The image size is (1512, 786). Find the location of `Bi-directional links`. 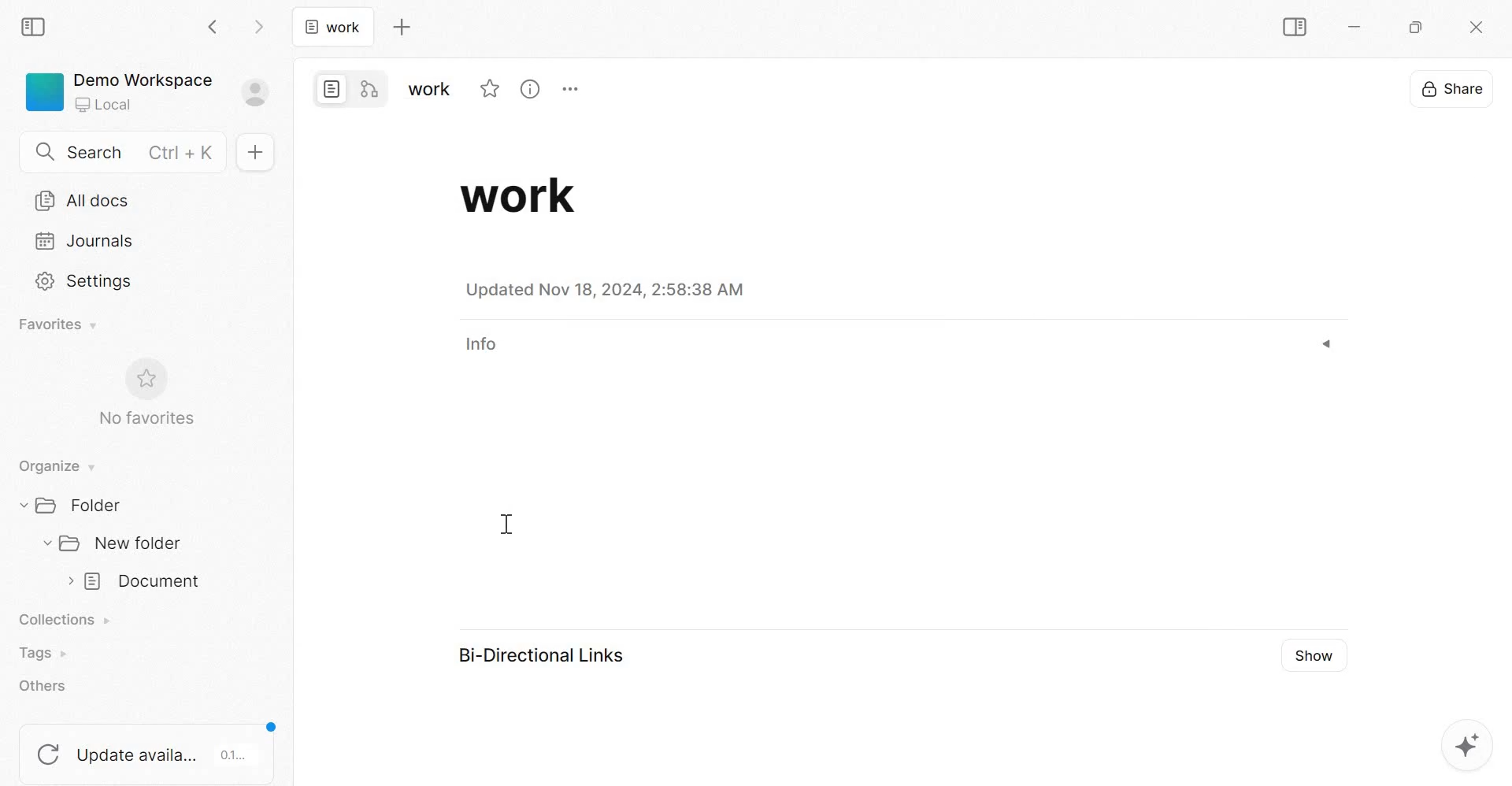

Bi-directional links is located at coordinates (537, 656).